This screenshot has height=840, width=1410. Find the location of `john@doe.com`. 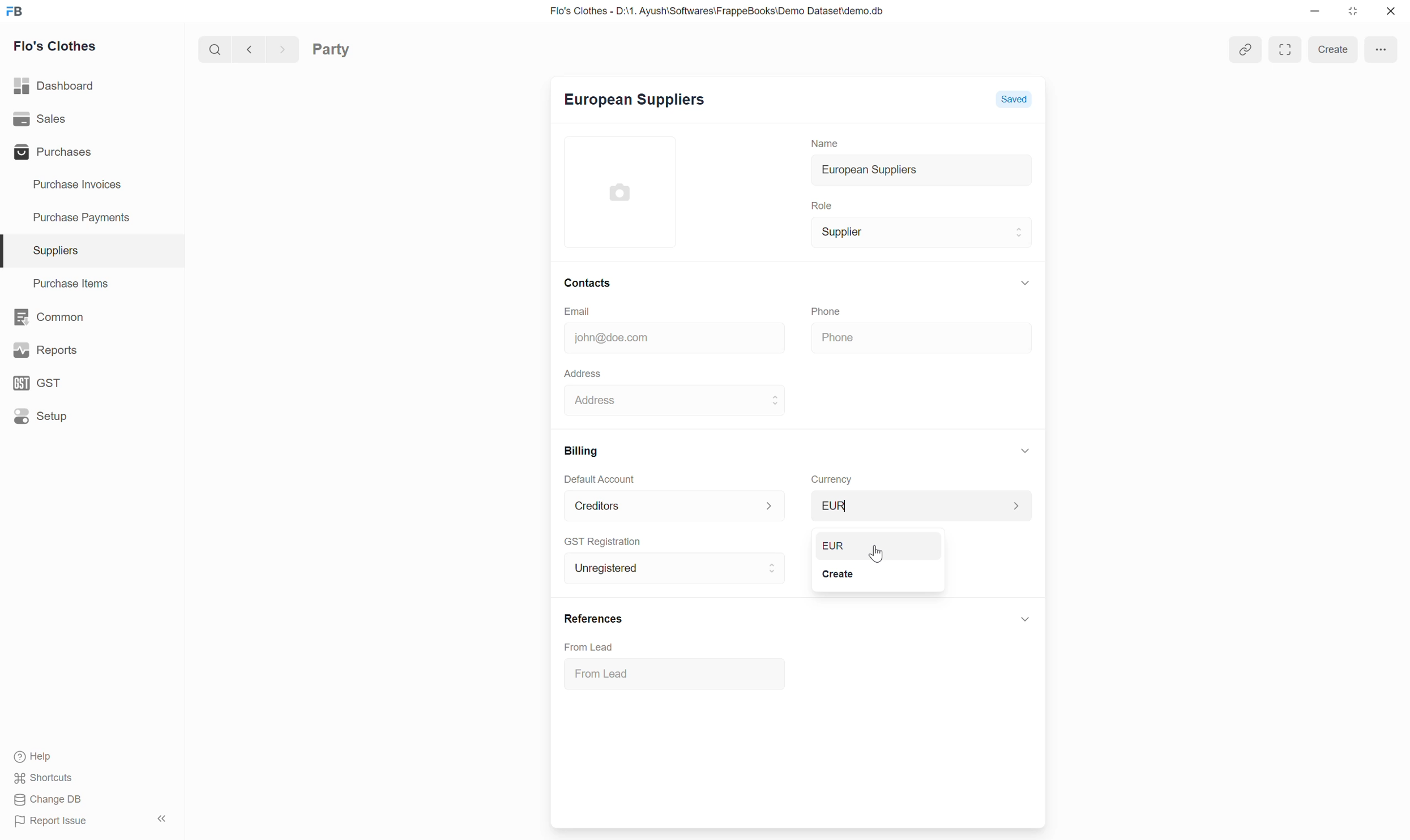

john@doe.com is located at coordinates (606, 336).